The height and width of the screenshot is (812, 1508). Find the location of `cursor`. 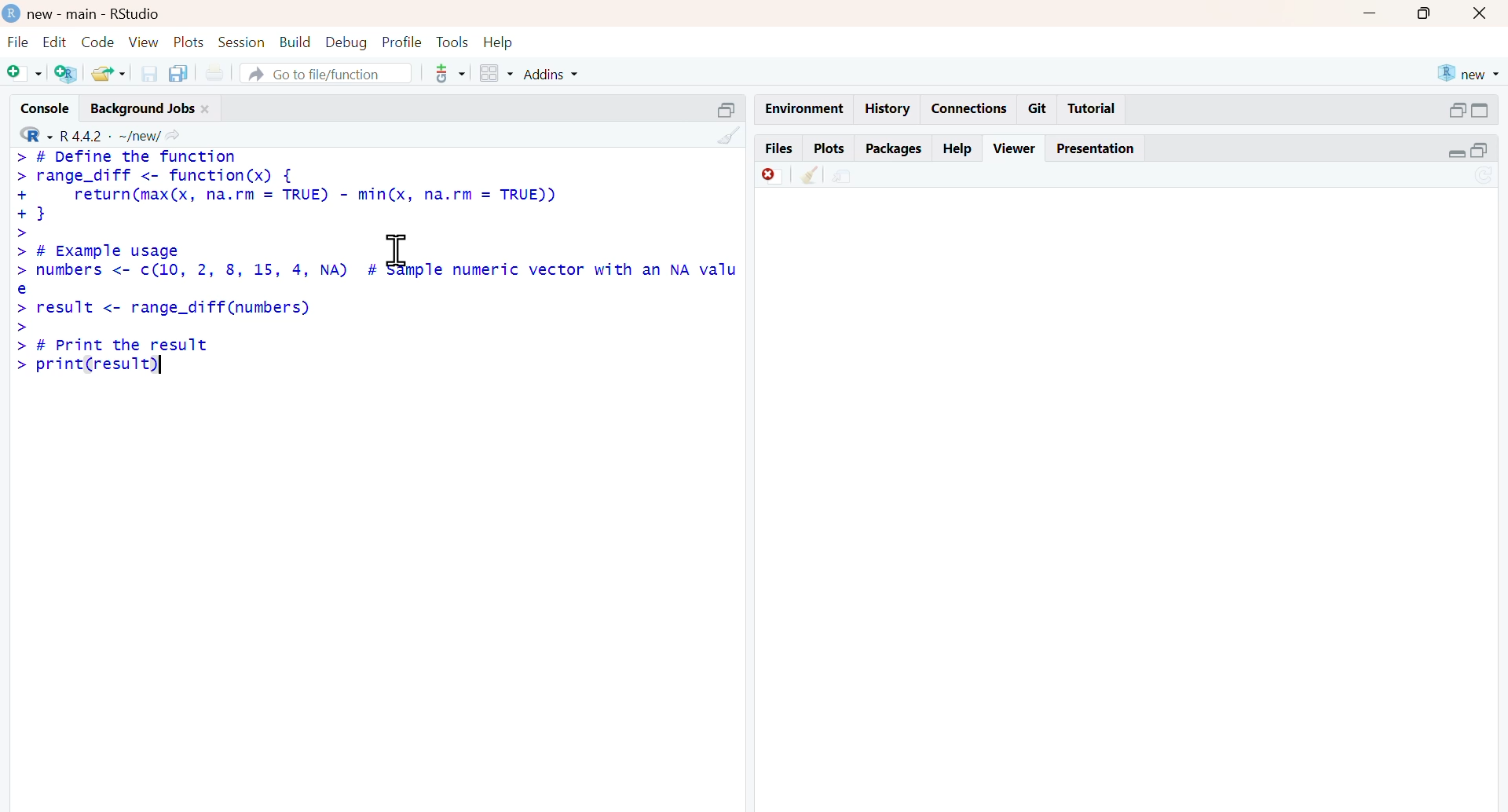

cursor is located at coordinates (397, 251).